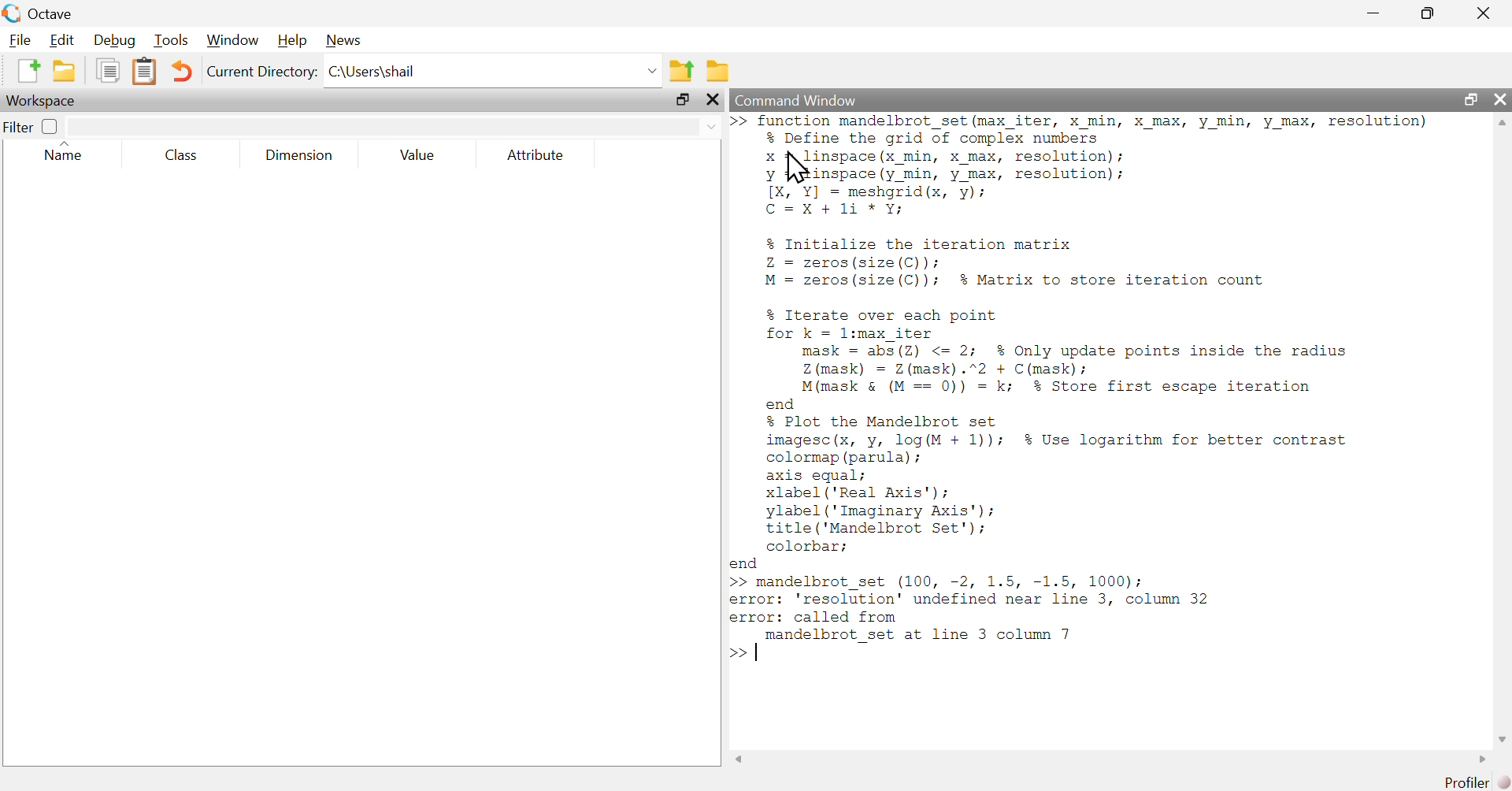 This screenshot has width=1512, height=791. I want to click on Scrollbar left, so click(740, 758).